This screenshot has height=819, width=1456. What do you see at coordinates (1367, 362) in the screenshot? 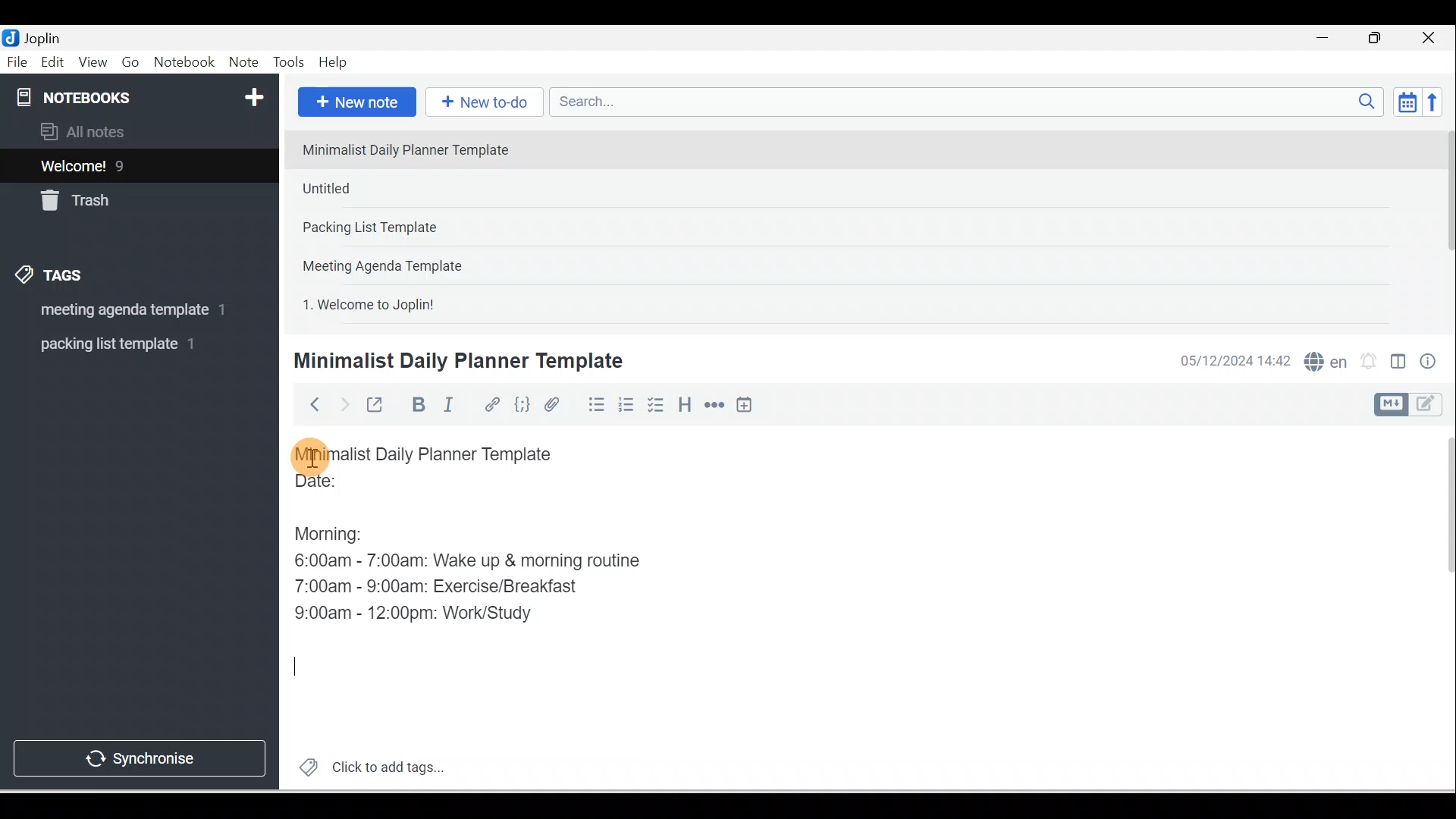
I see `Set alarm` at bounding box center [1367, 362].